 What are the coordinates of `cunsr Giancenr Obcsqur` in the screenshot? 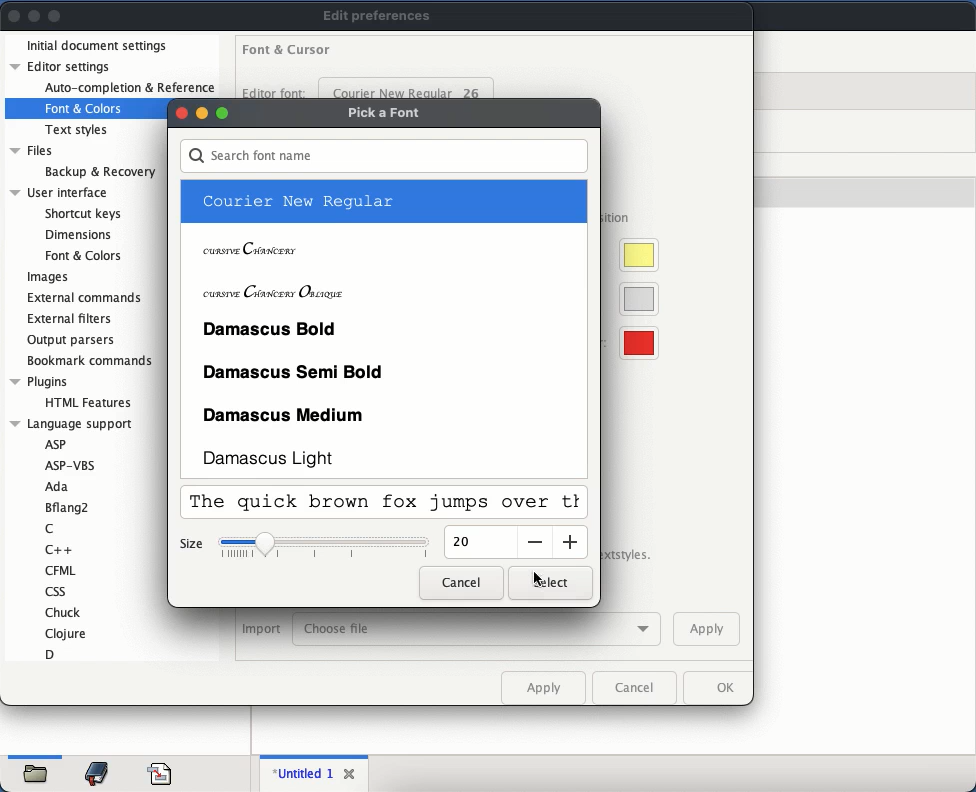 It's located at (274, 291).